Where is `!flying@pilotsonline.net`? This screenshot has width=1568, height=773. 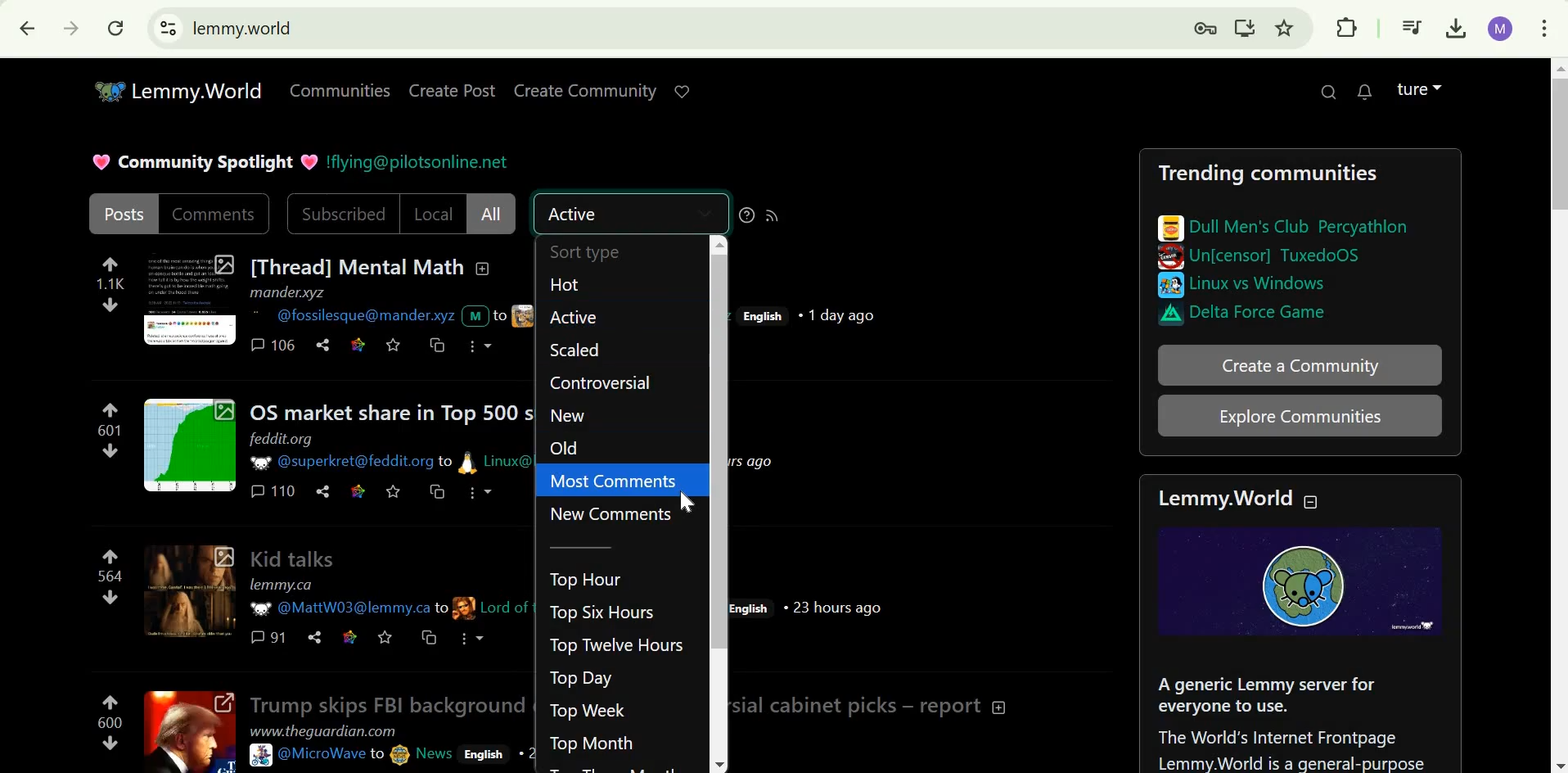 !flying@pilotsonline.net is located at coordinates (419, 164).